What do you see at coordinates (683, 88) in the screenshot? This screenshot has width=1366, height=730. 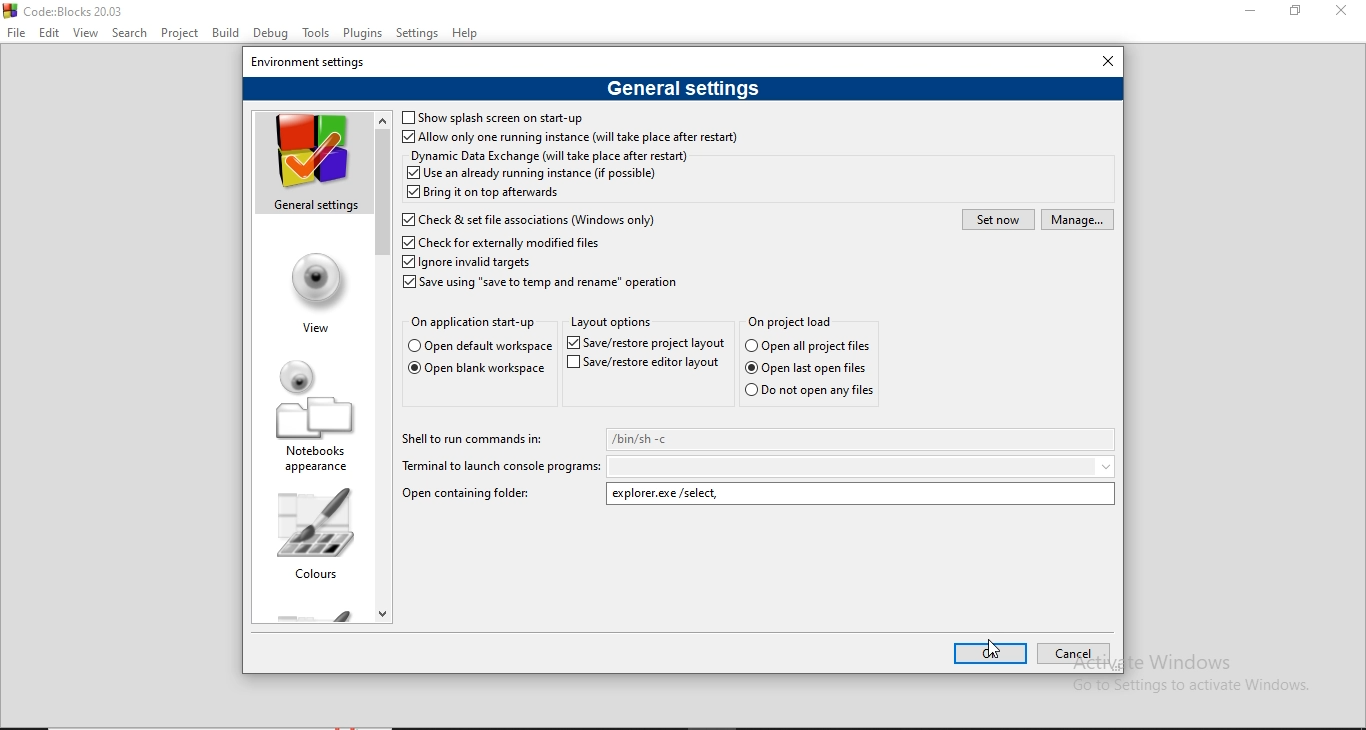 I see `general settings` at bounding box center [683, 88].